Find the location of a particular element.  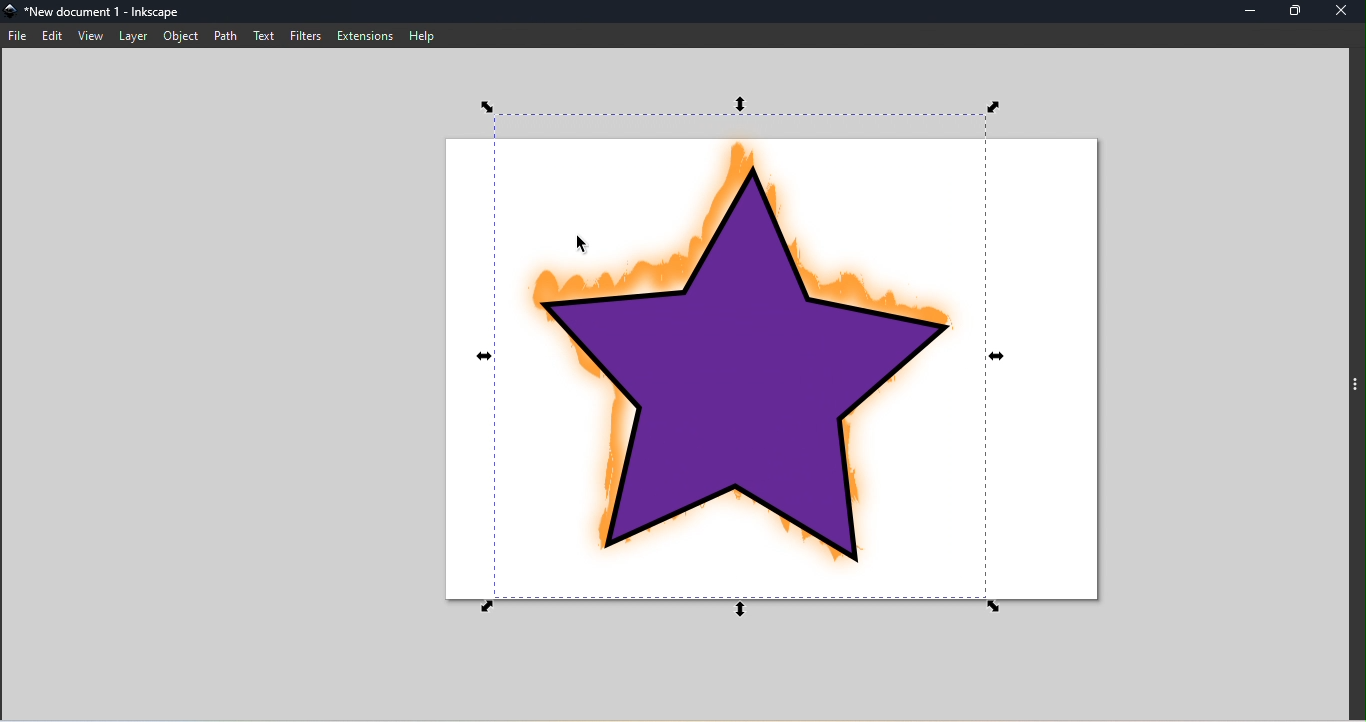

Text is located at coordinates (263, 35).